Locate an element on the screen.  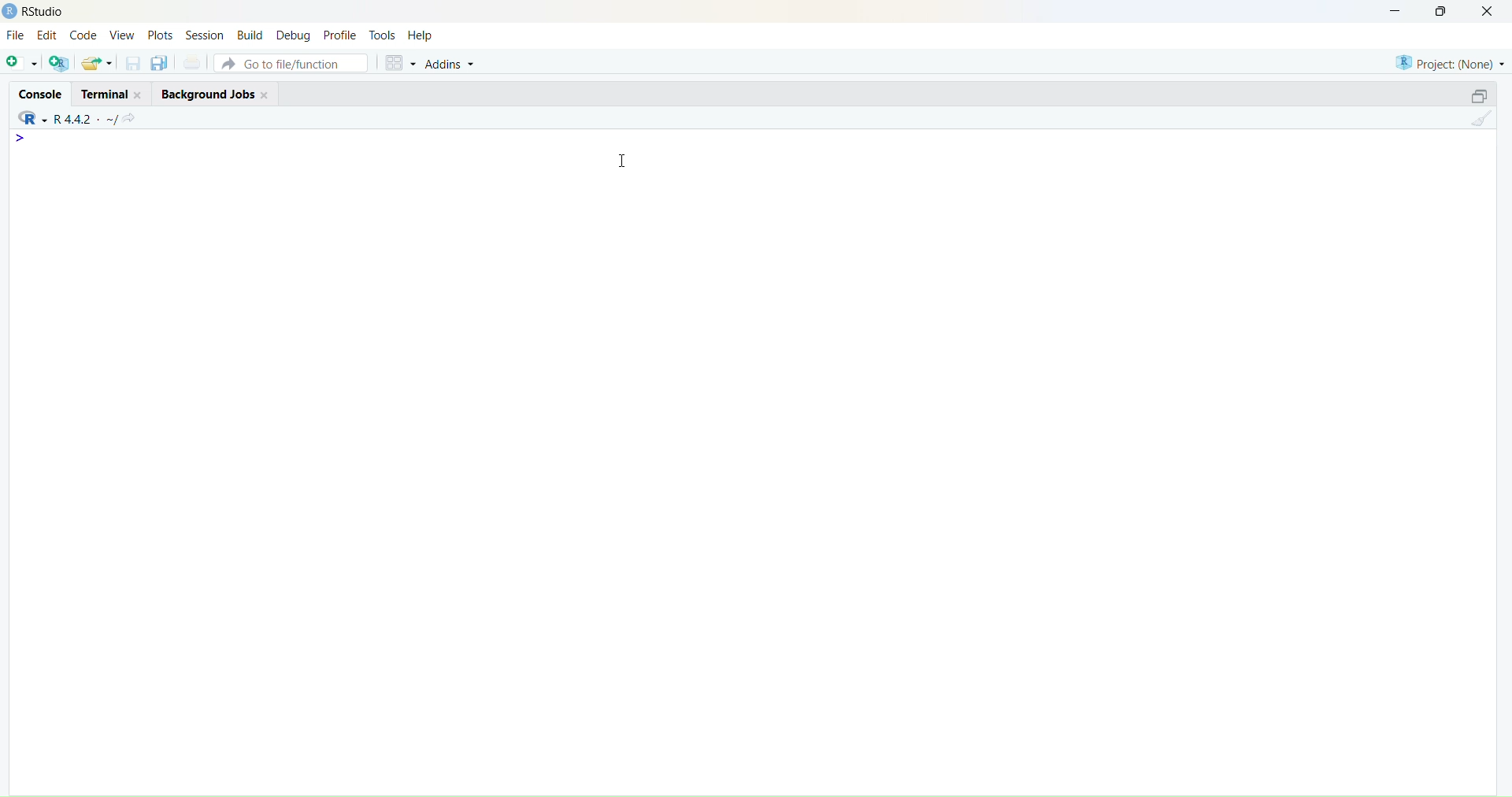
Open an existing file (Ctrl + O) is located at coordinates (98, 62).